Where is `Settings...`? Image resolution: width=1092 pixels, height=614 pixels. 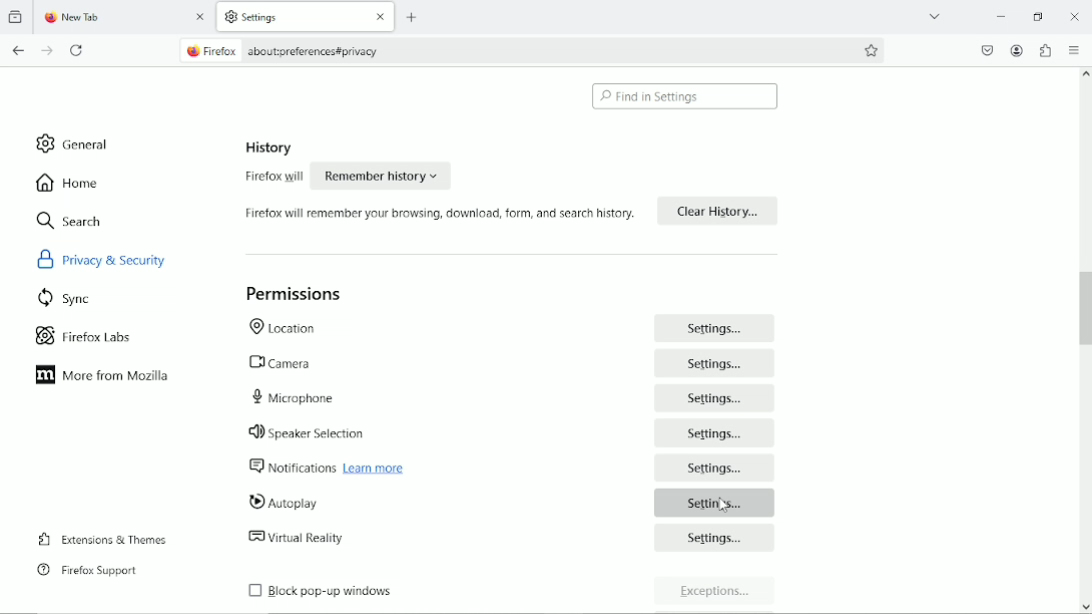
Settings... is located at coordinates (716, 363).